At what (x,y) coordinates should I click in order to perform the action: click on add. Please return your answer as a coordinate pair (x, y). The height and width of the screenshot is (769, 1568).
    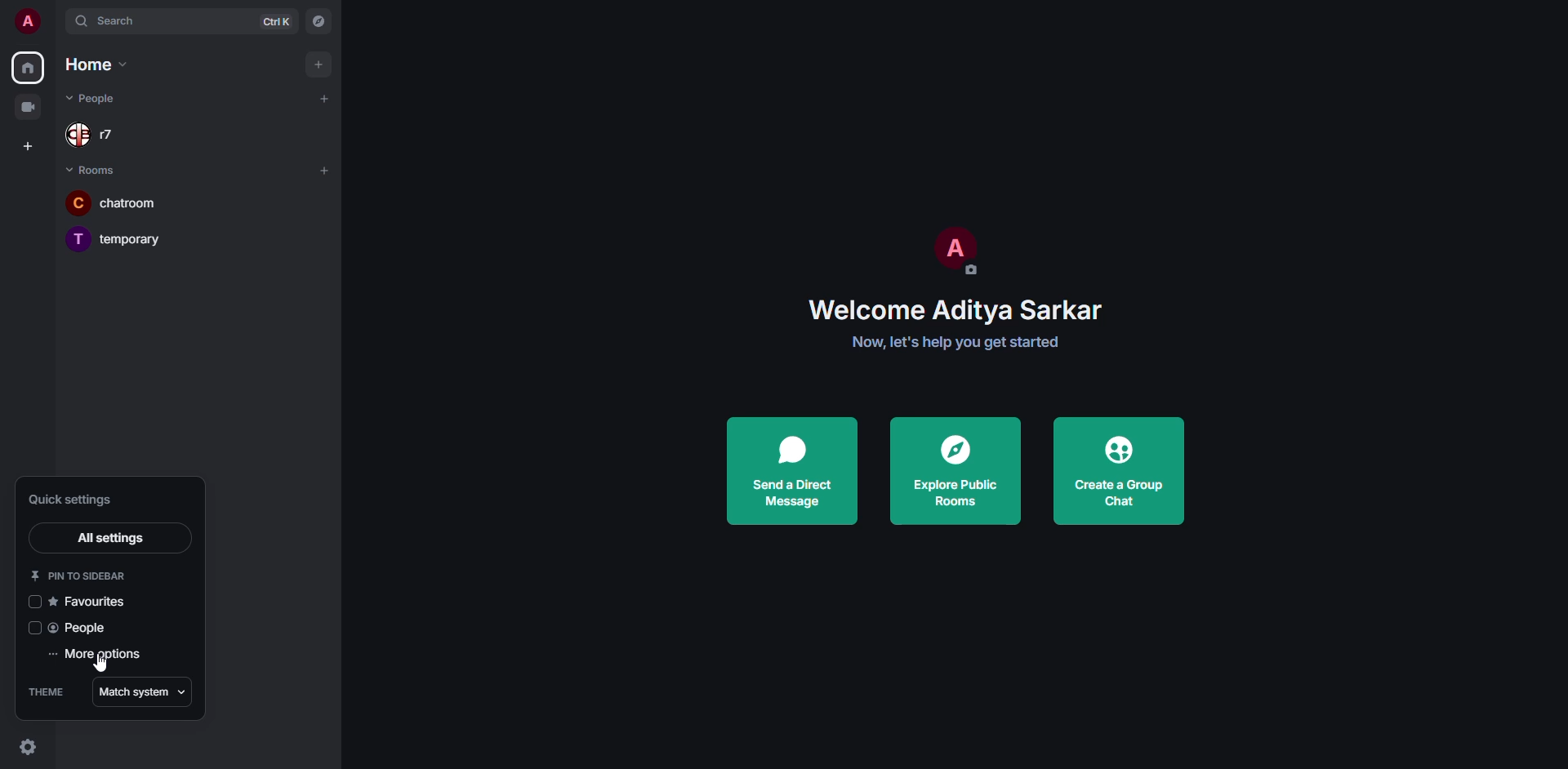
    Looking at the image, I should click on (318, 64).